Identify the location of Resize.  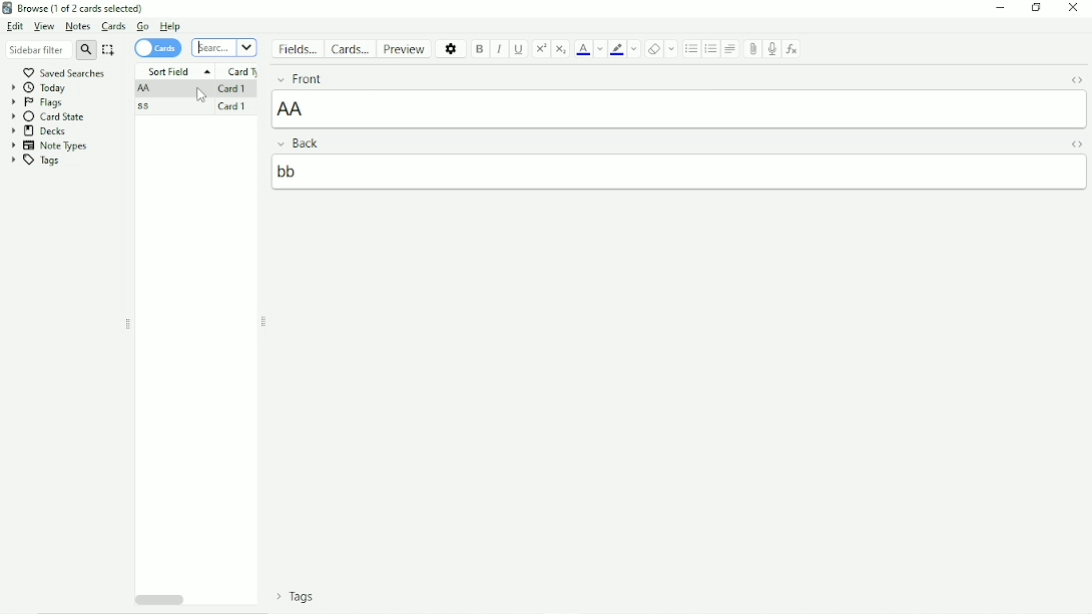
(128, 325).